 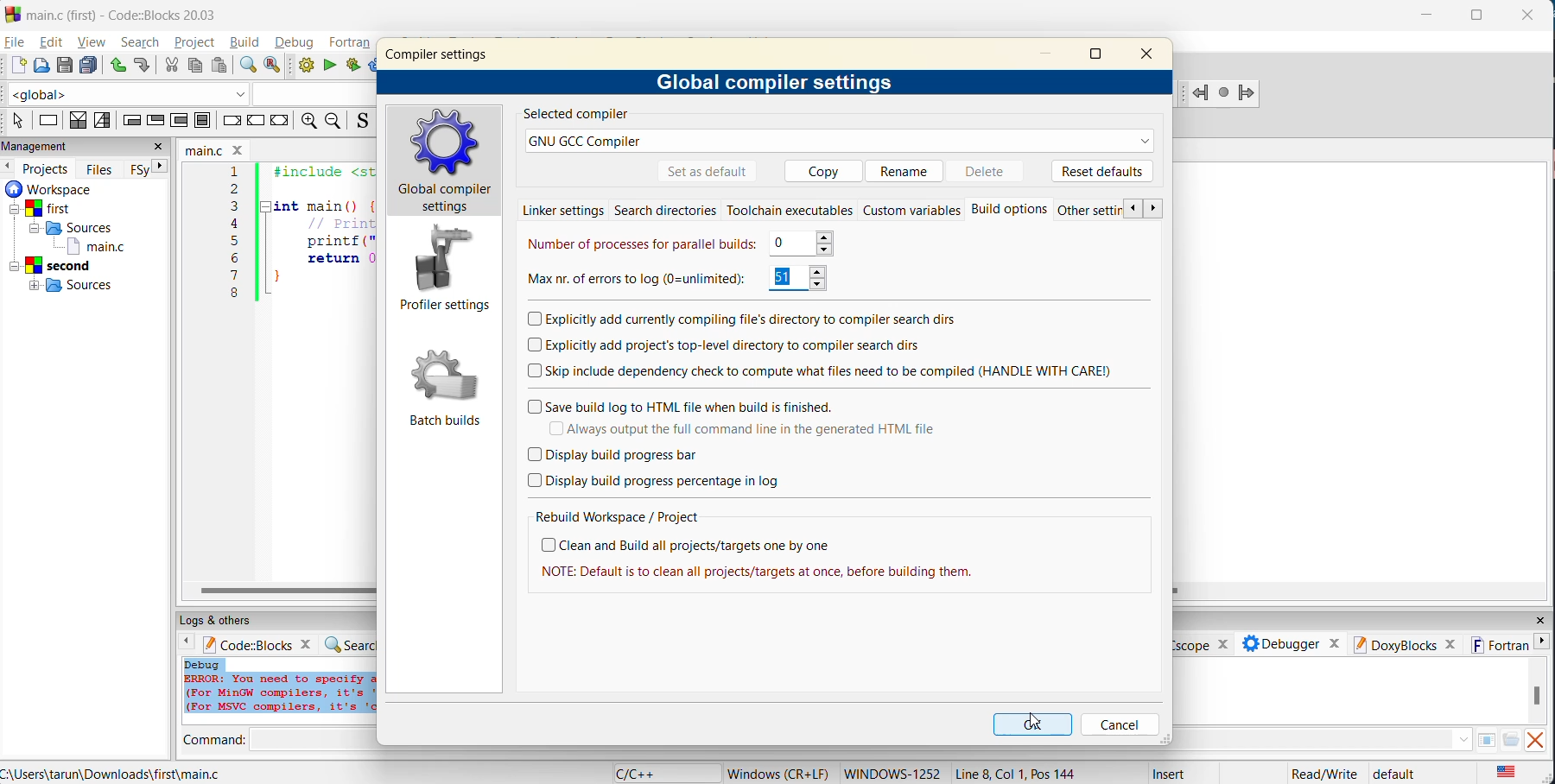 What do you see at coordinates (1152, 210) in the screenshot?
I see `next` at bounding box center [1152, 210].